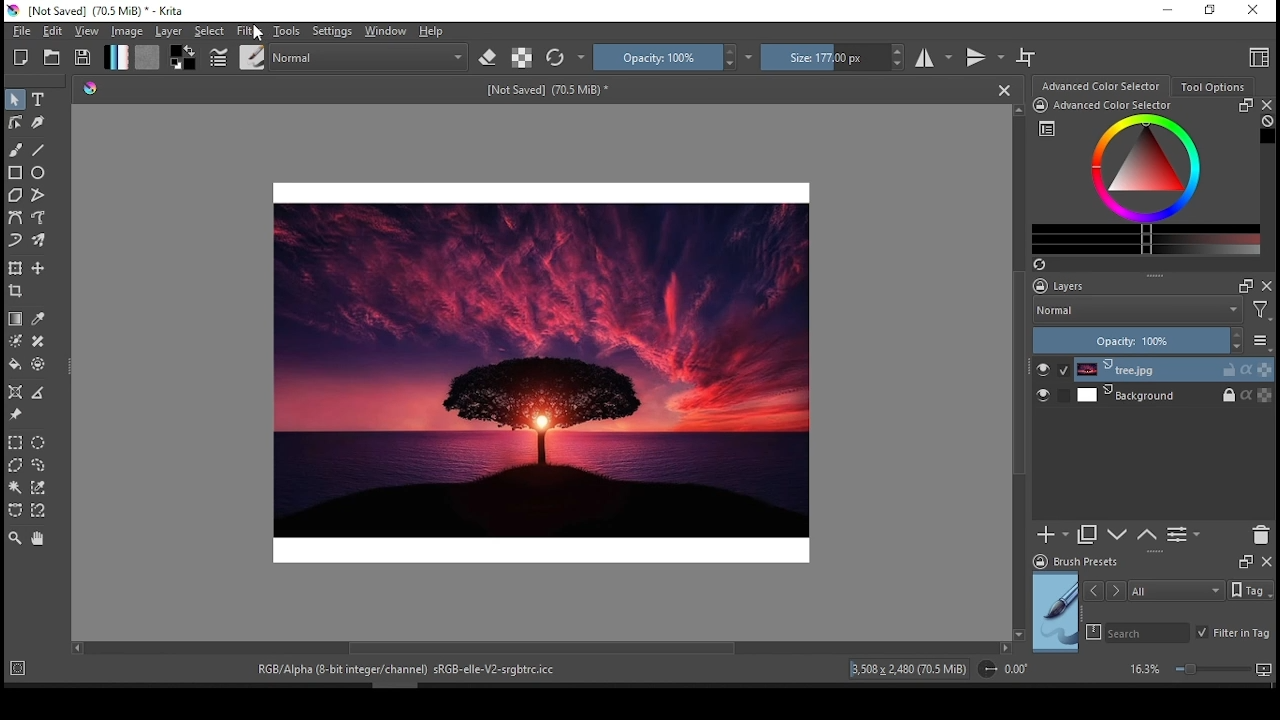  I want to click on square  tool, so click(16, 172).